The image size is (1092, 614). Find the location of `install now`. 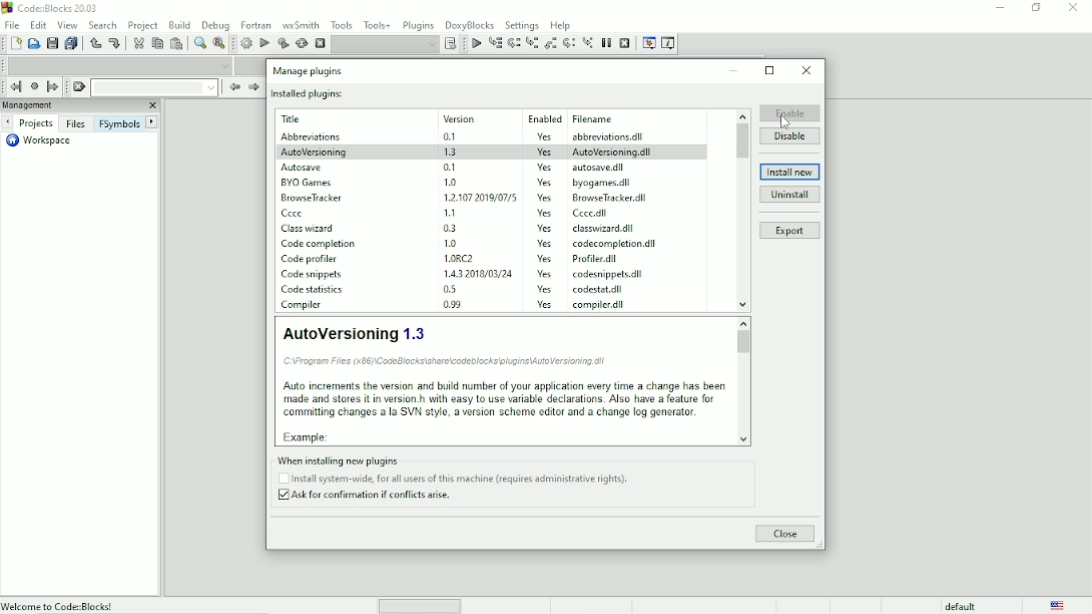

install now is located at coordinates (790, 172).